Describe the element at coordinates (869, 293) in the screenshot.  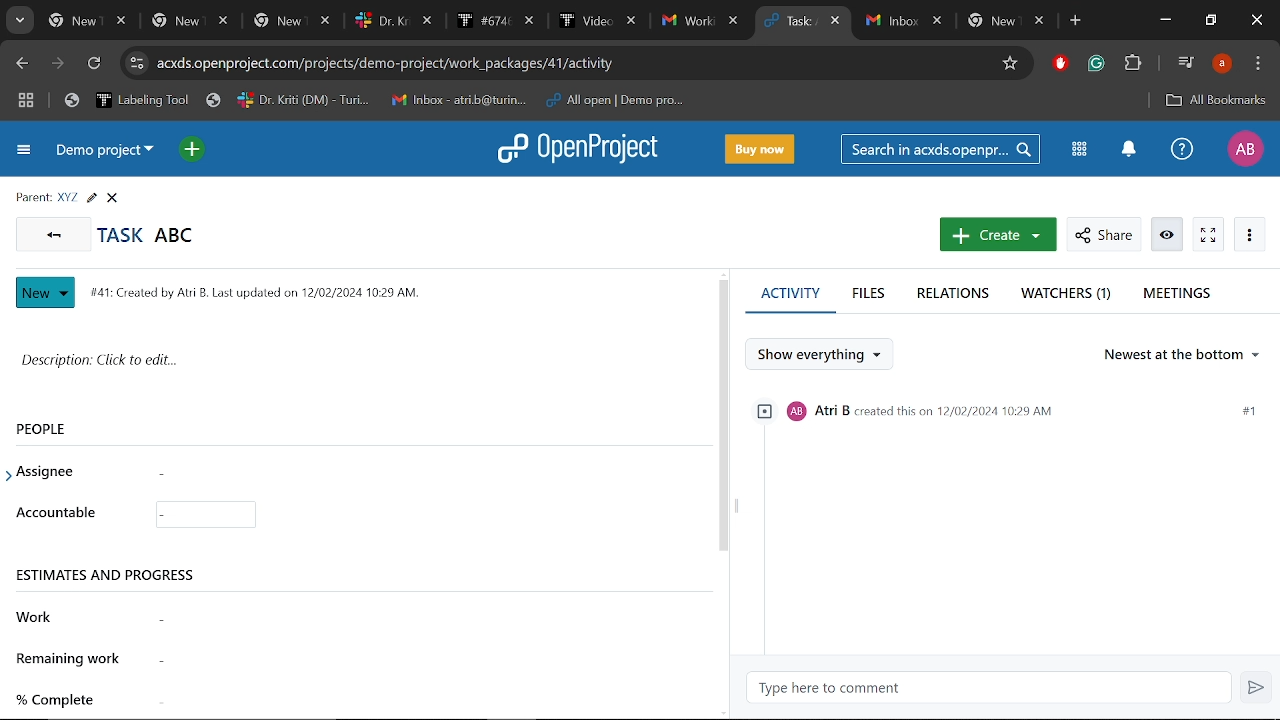
I see `Files` at that location.